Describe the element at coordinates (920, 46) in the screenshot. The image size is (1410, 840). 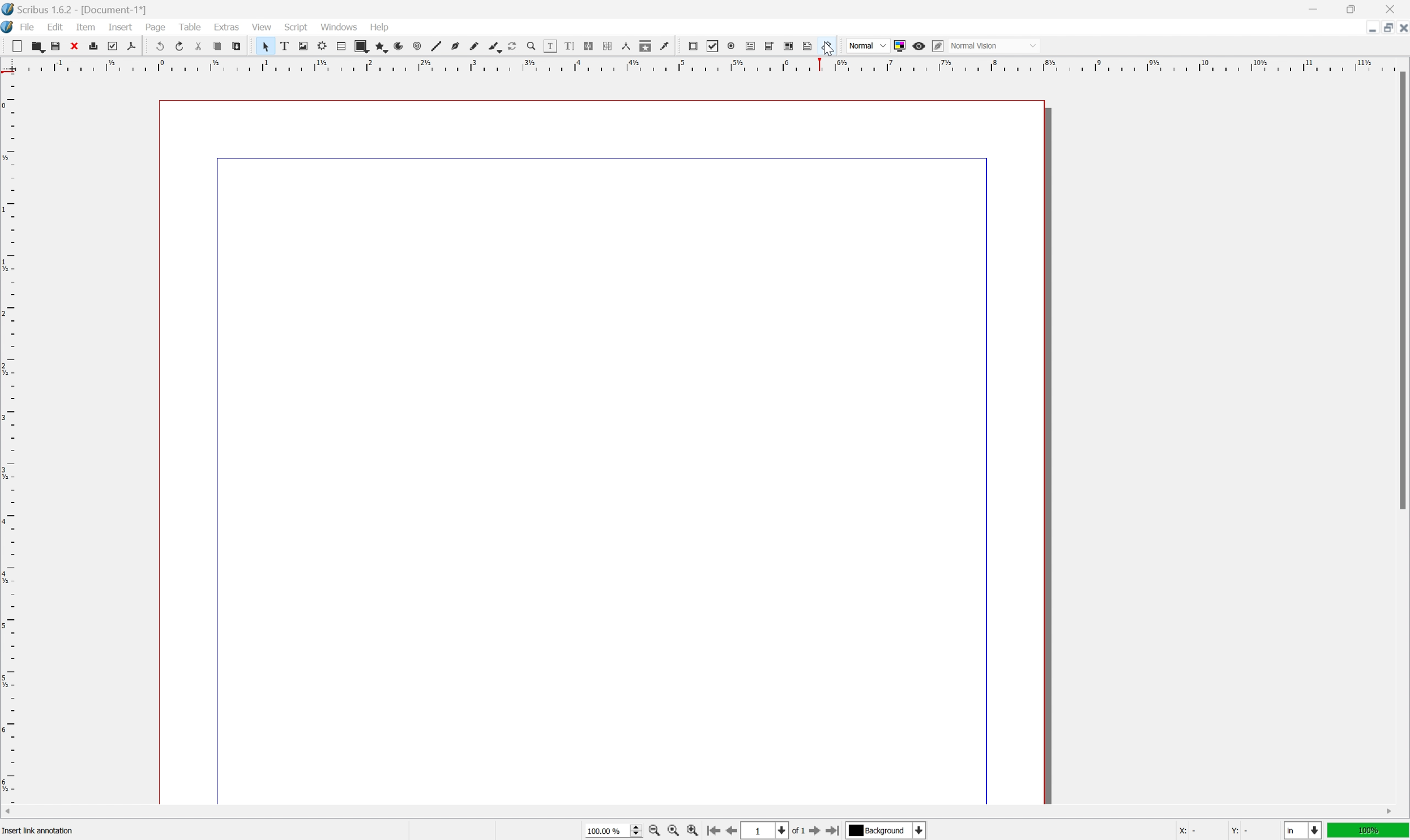
I see `preview mode` at that location.